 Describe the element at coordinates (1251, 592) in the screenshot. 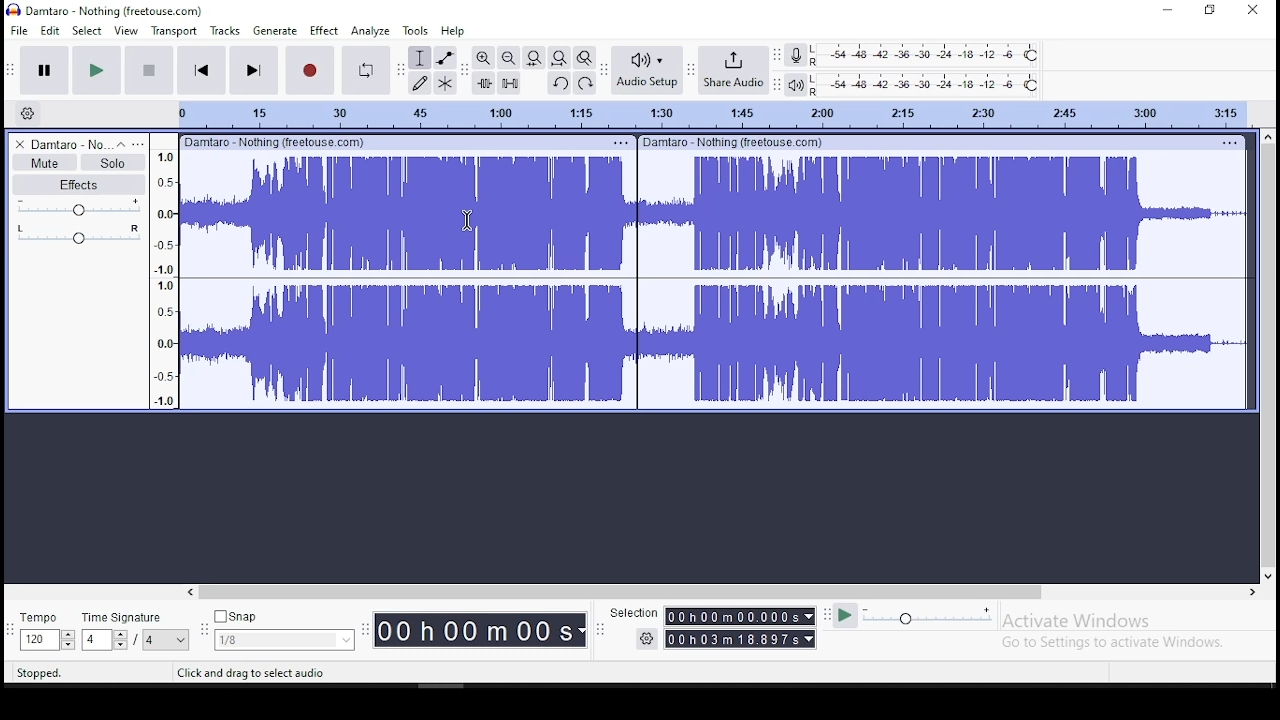

I see `scroll right` at that location.